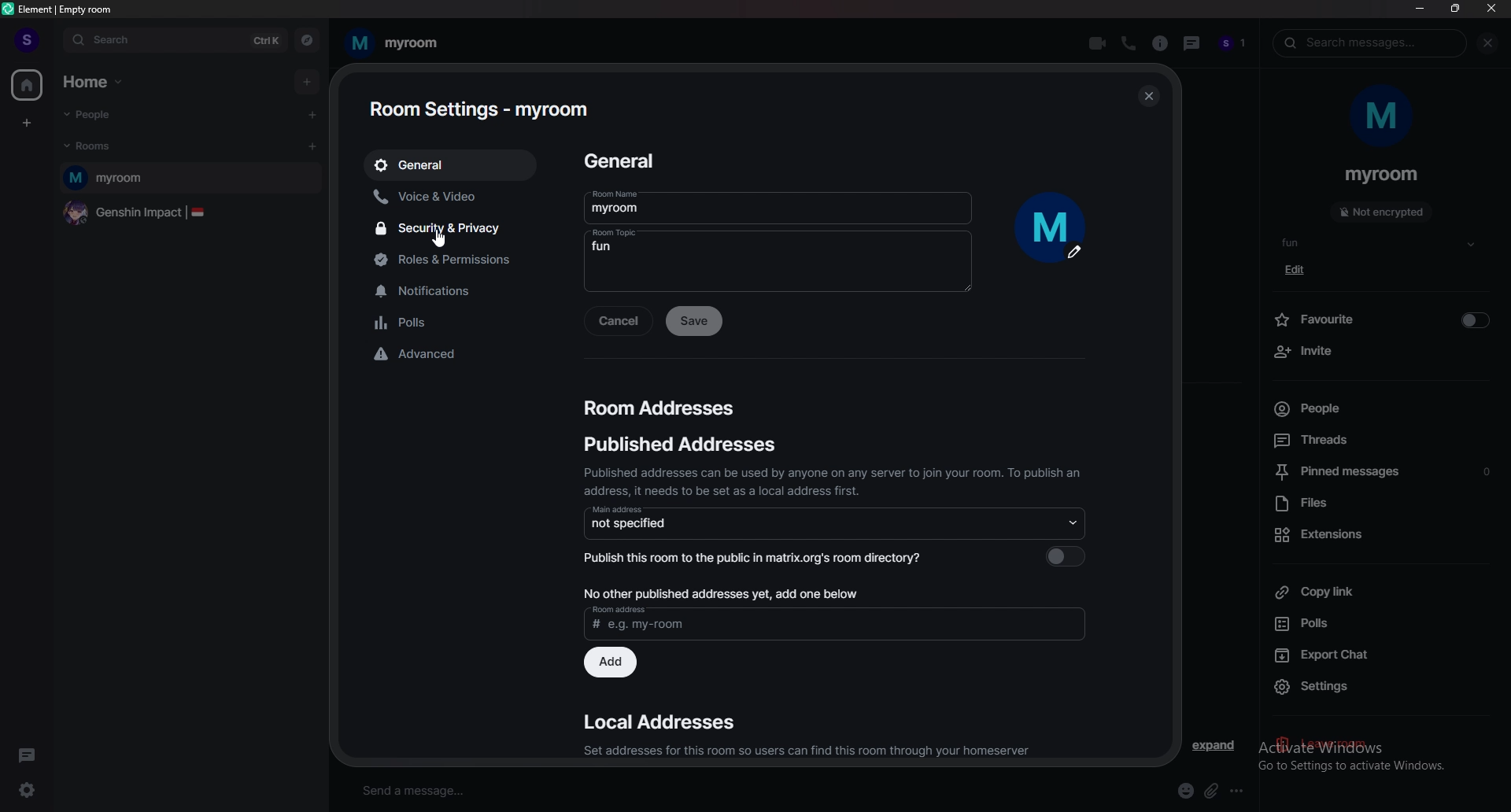 This screenshot has height=812, width=1511. Describe the element at coordinates (307, 40) in the screenshot. I see `explore rooms` at that location.